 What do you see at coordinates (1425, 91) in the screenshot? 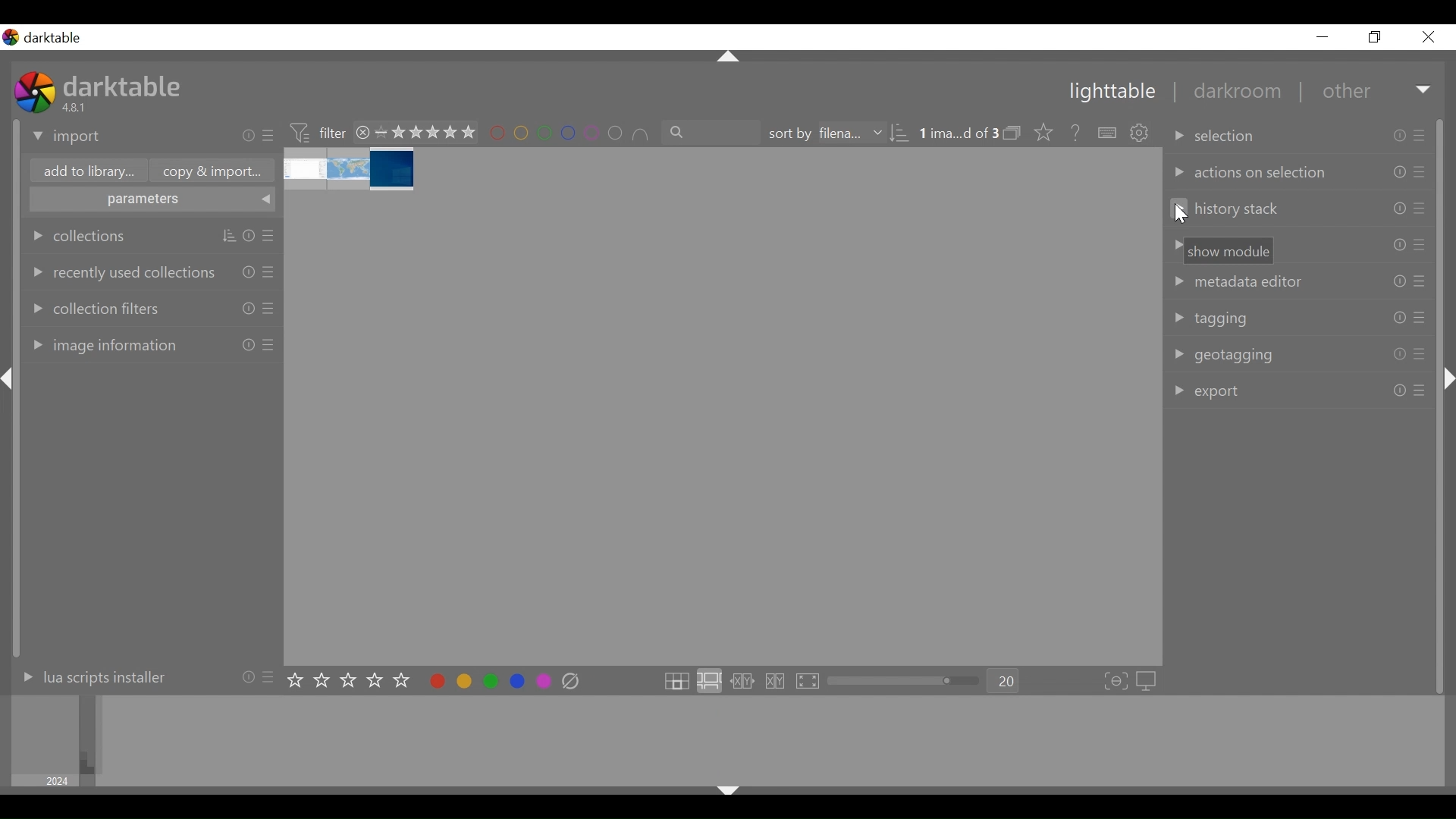
I see `Expand` at bounding box center [1425, 91].